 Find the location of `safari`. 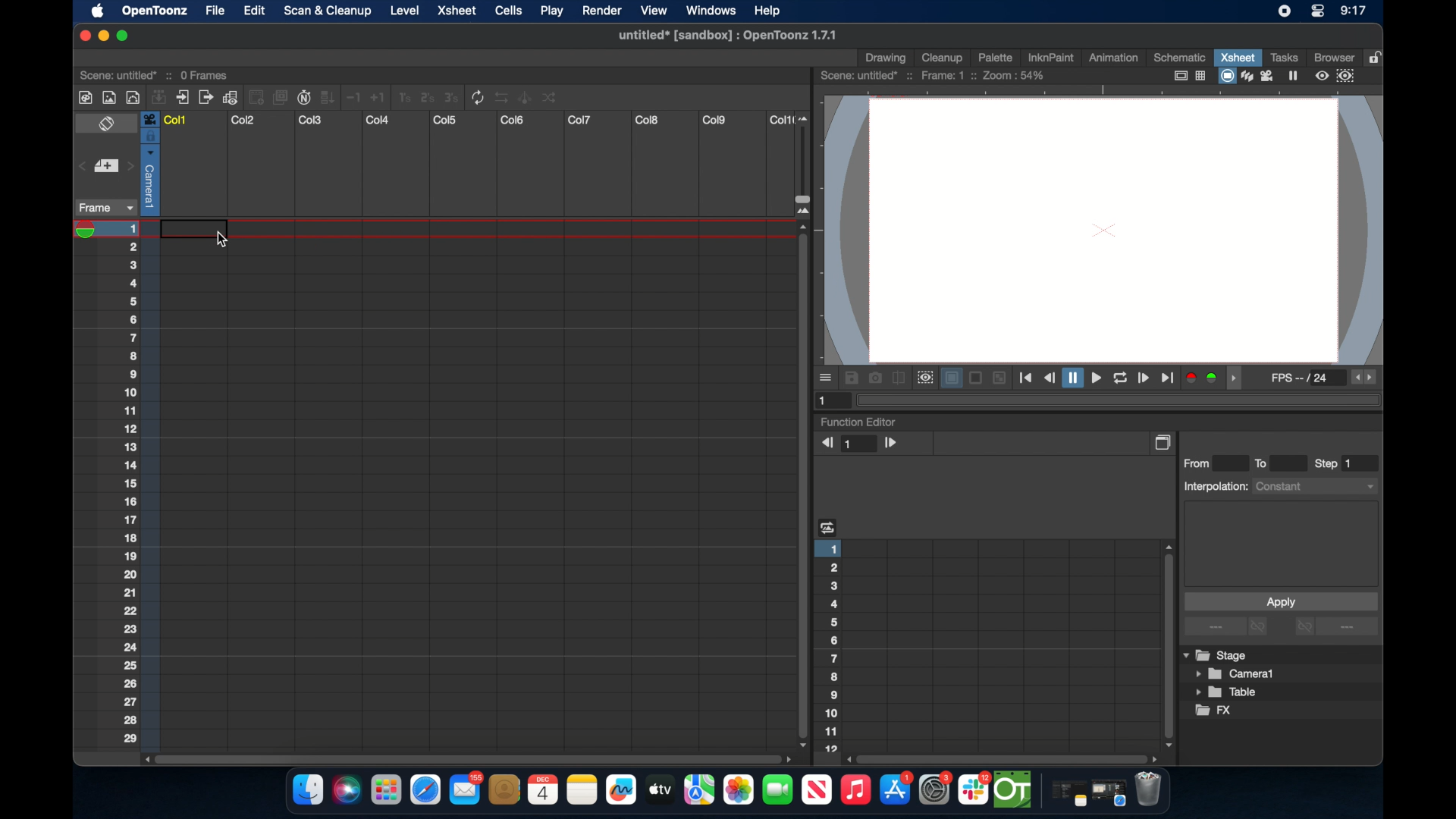

safari is located at coordinates (426, 790).